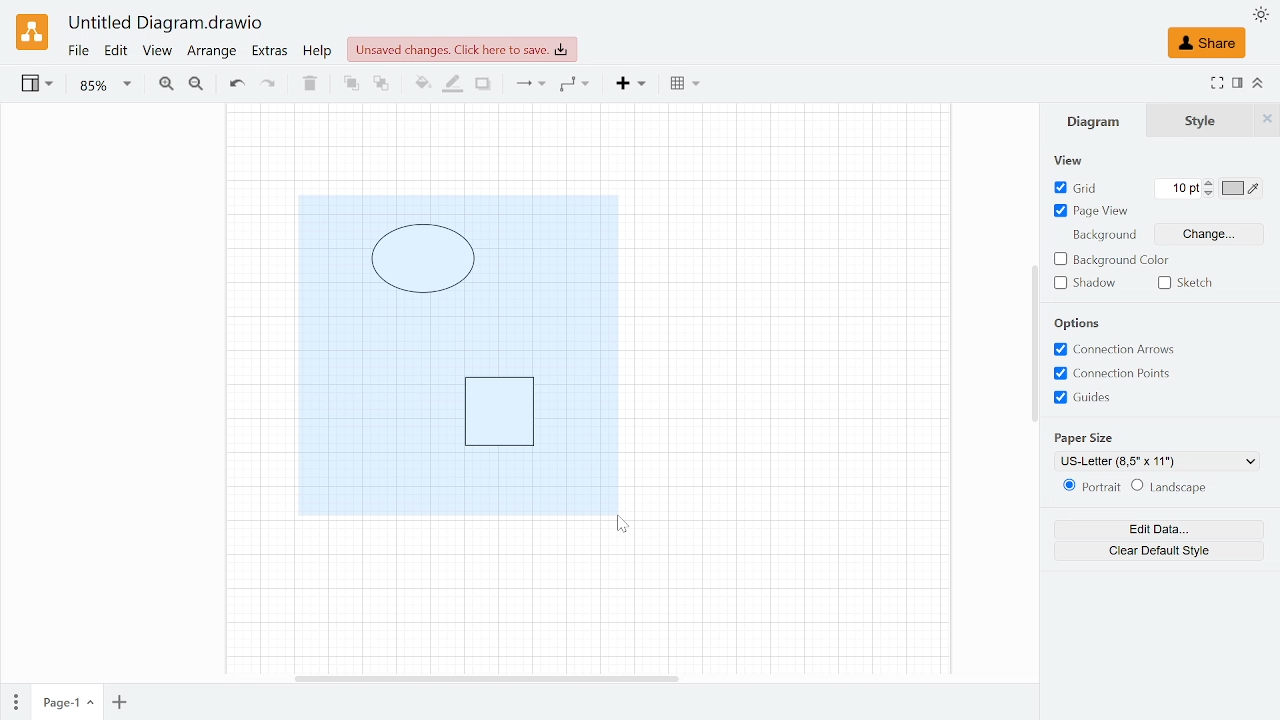 The width and height of the screenshot is (1280, 720). I want to click on Diagrams, so click(457, 354).